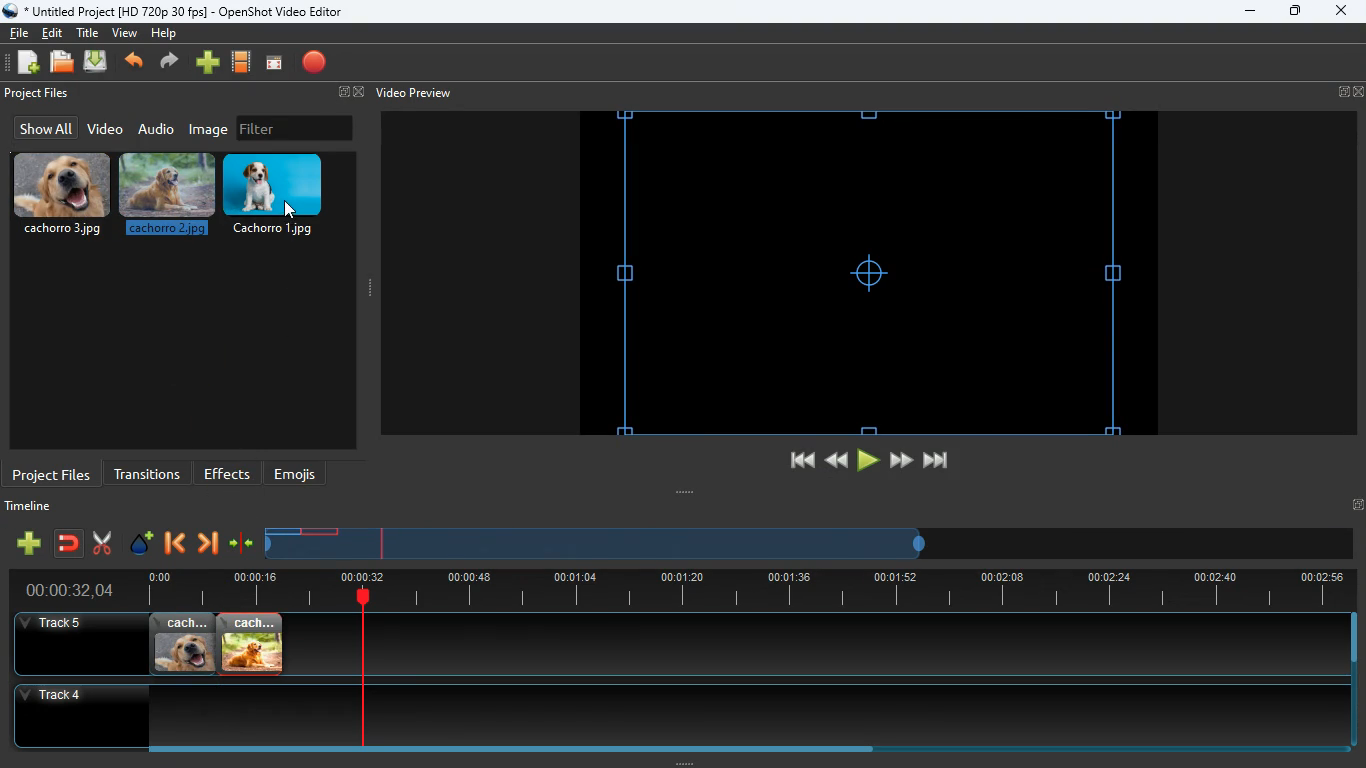 The image size is (1366, 768). Describe the element at coordinates (901, 461) in the screenshot. I see `forward` at that location.